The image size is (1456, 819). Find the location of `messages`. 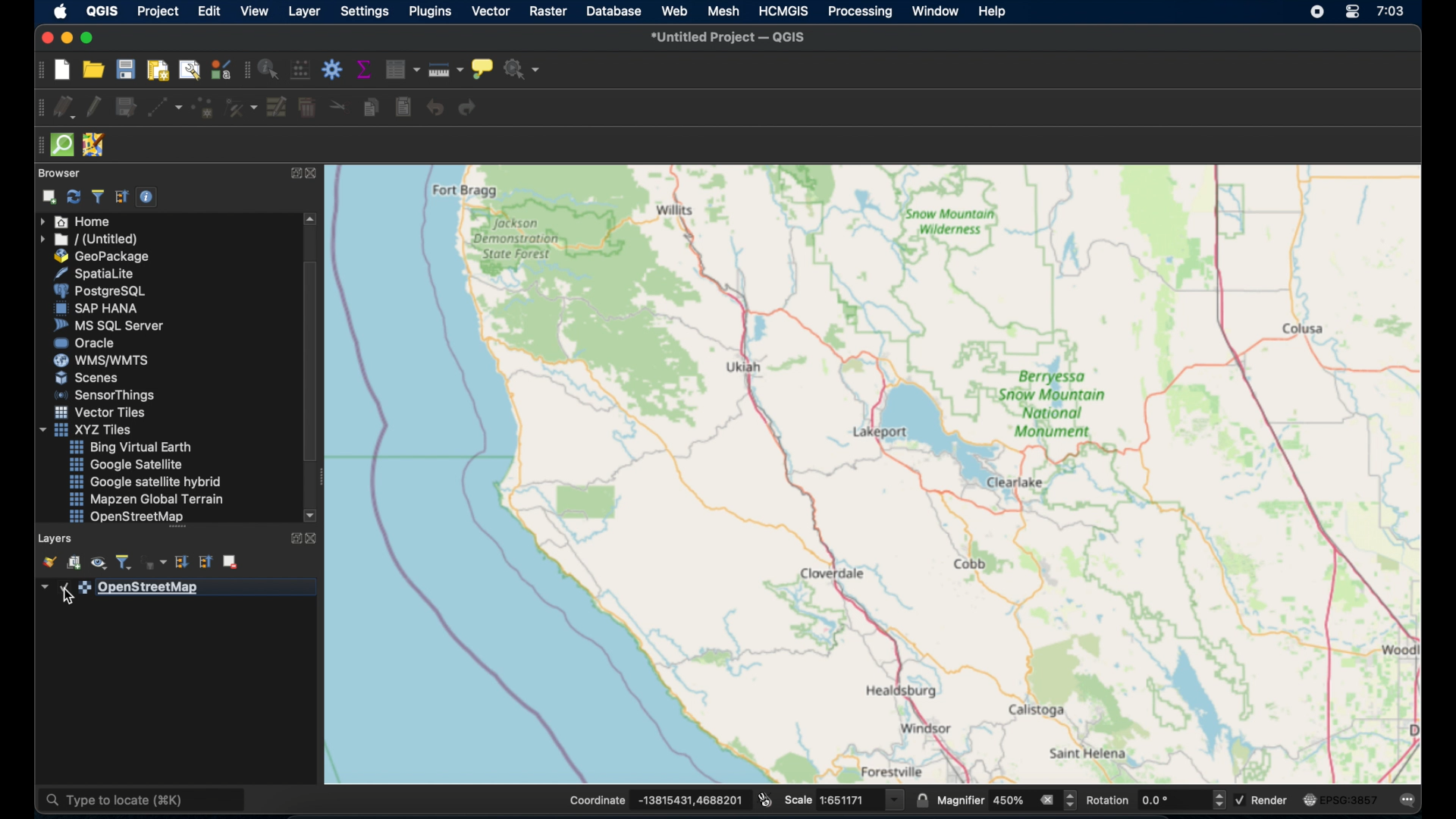

messages is located at coordinates (1410, 802).